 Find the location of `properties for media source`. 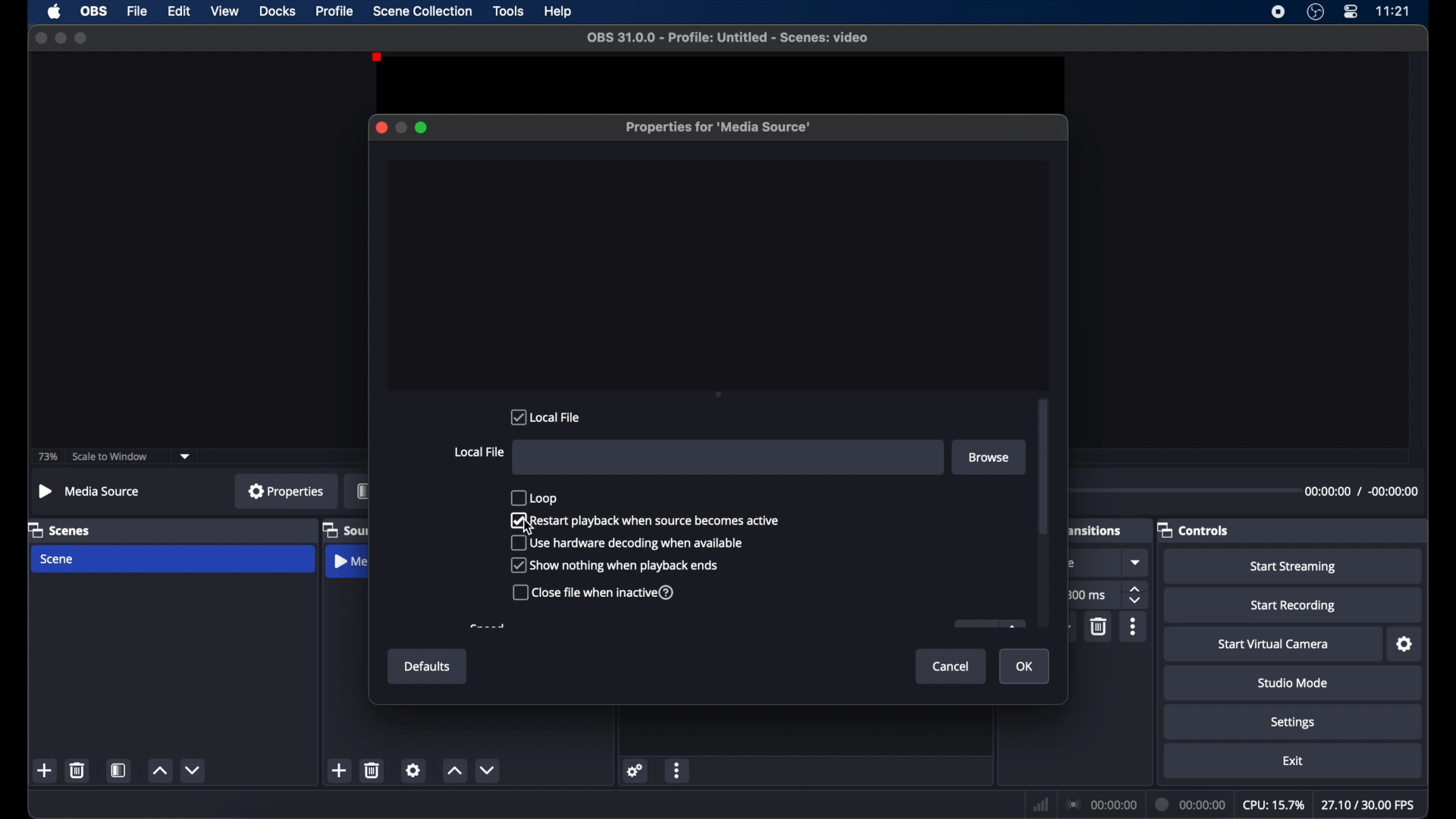

properties for media source is located at coordinates (717, 127).